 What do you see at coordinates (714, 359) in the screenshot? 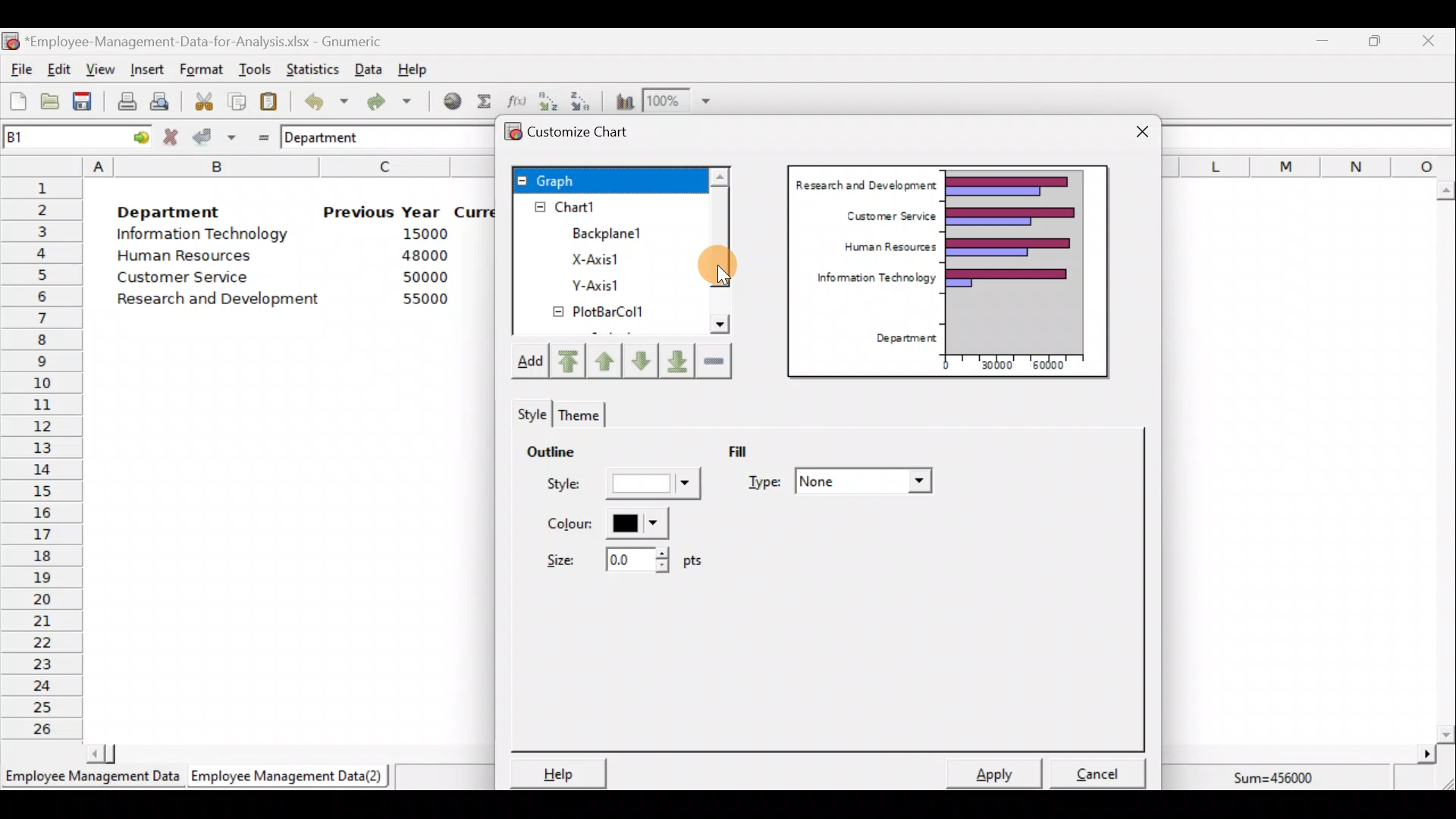
I see `Remove` at bounding box center [714, 359].